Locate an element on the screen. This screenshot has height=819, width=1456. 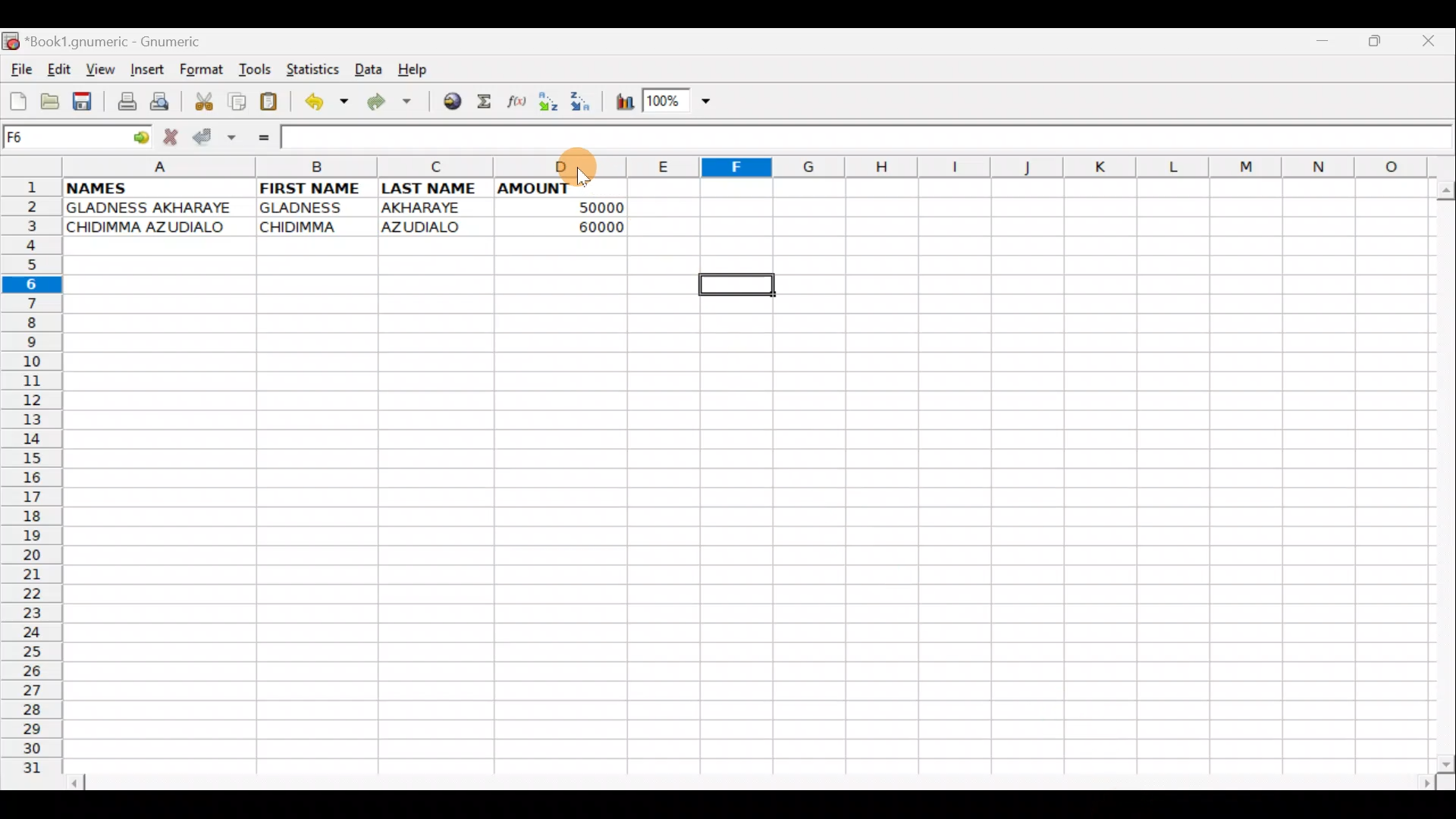
Enter formula is located at coordinates (264, 137).